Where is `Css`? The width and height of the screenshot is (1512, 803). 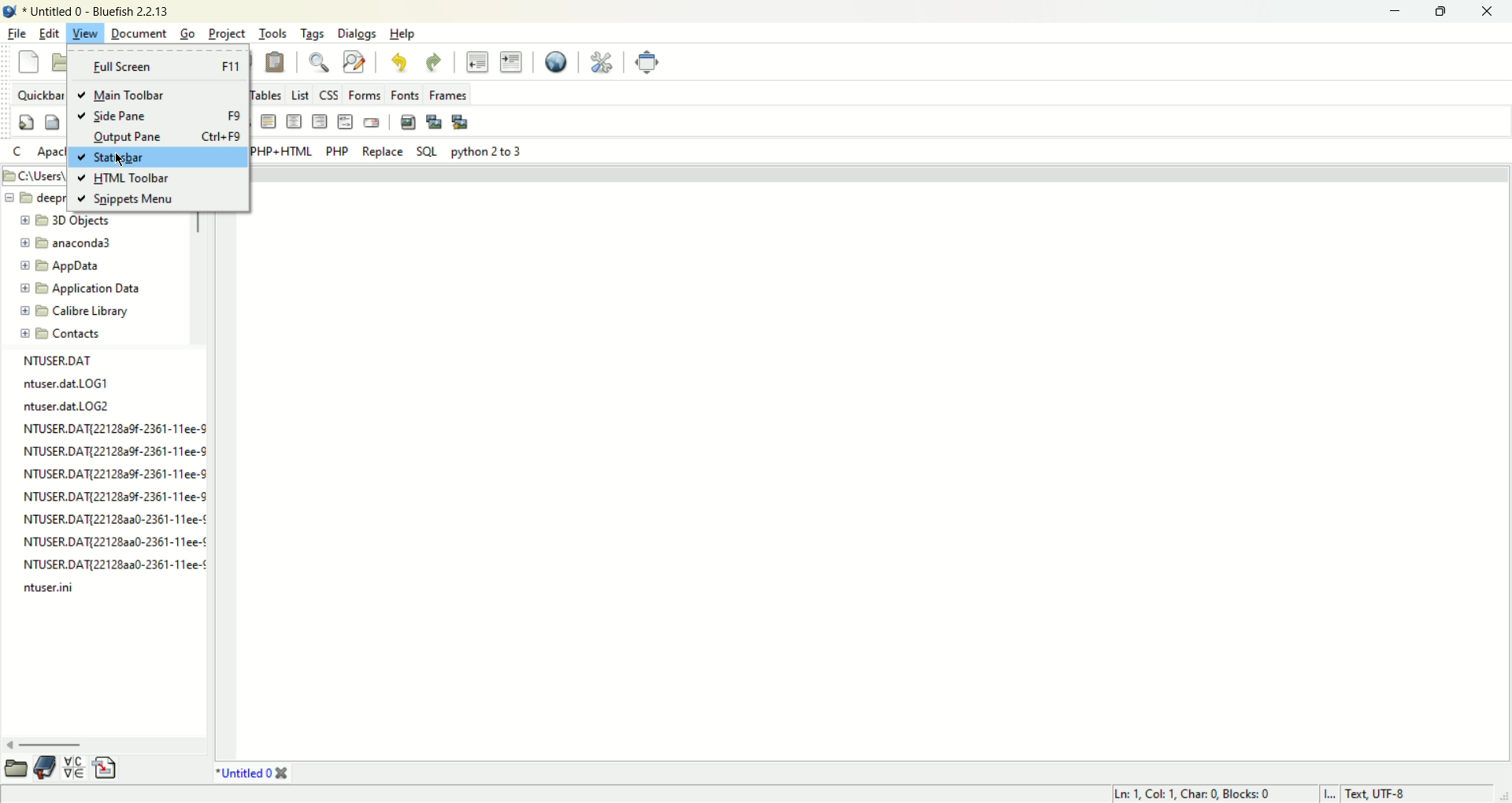 Css is located at coordinates (327, 94).